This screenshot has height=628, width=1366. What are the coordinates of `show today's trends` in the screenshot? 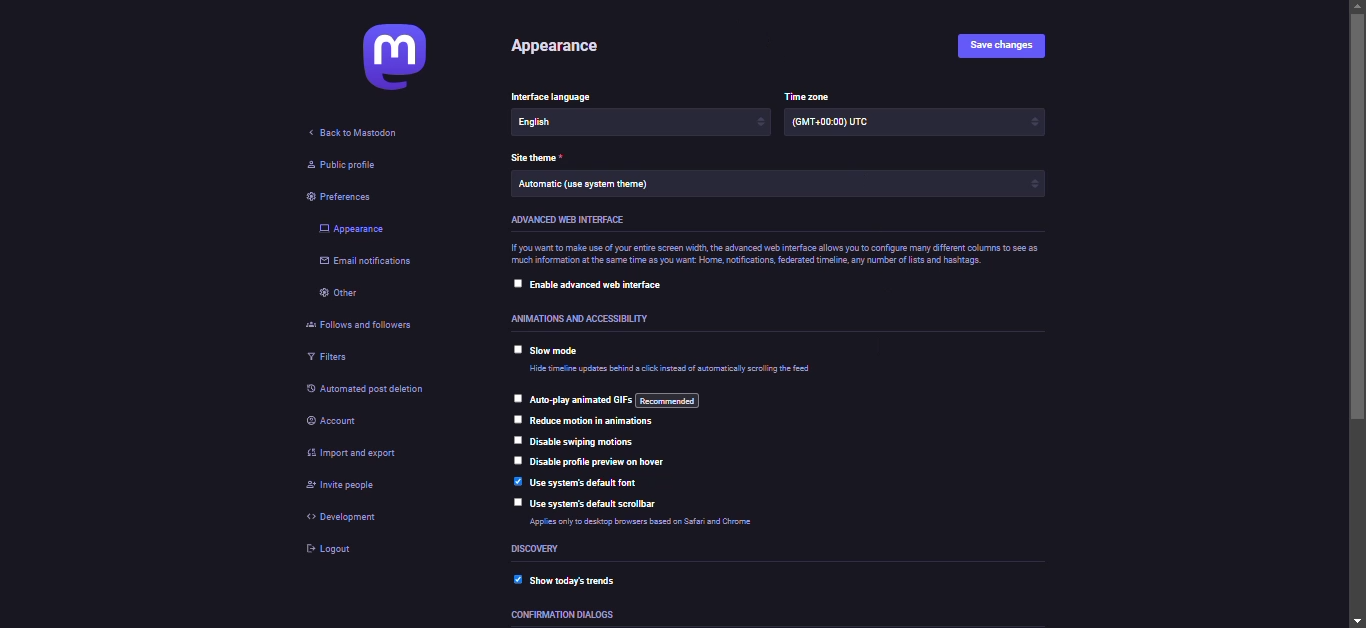 It's located at (571, 580).